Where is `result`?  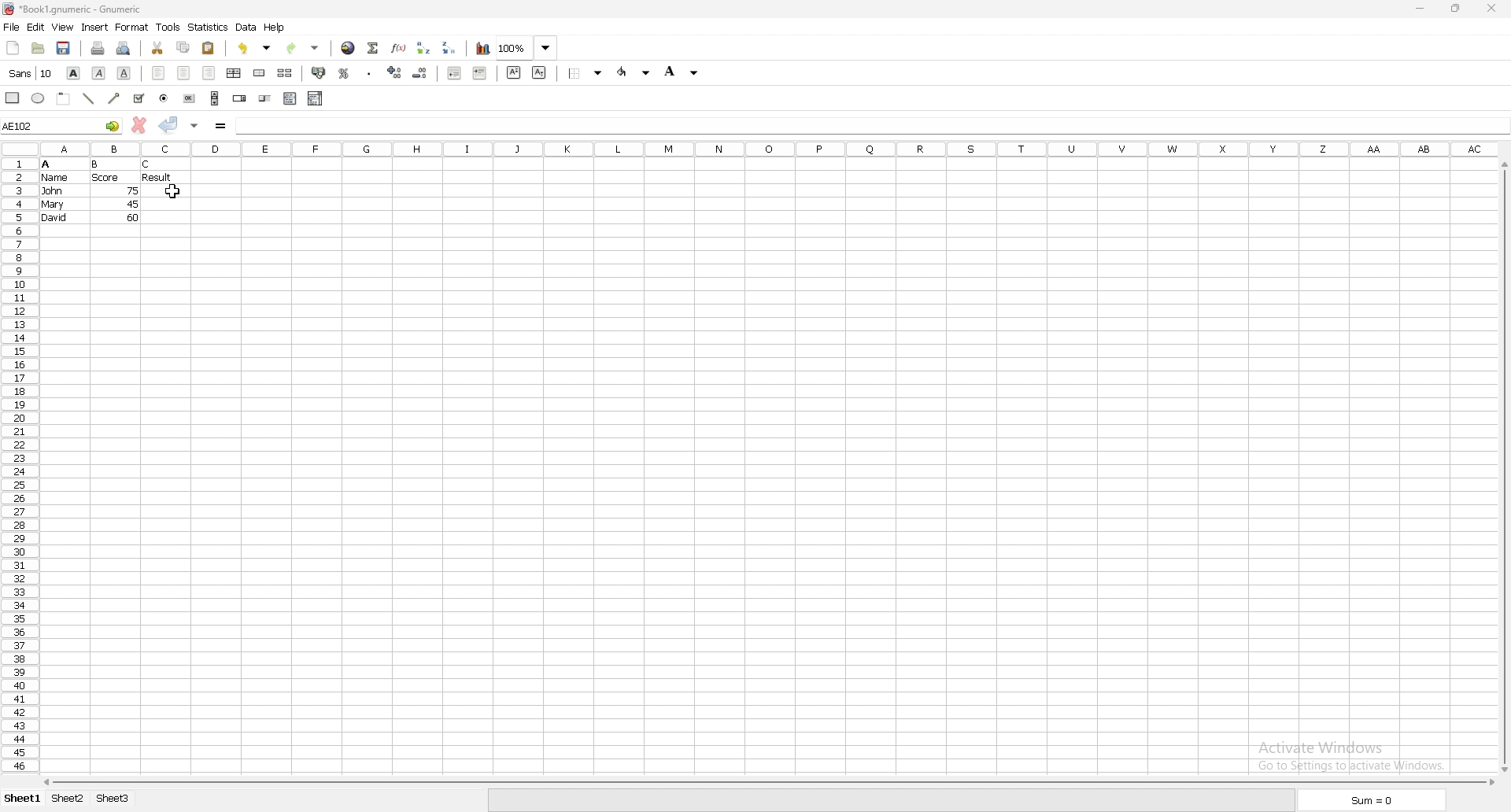
result is located at coordinates (157, 177).